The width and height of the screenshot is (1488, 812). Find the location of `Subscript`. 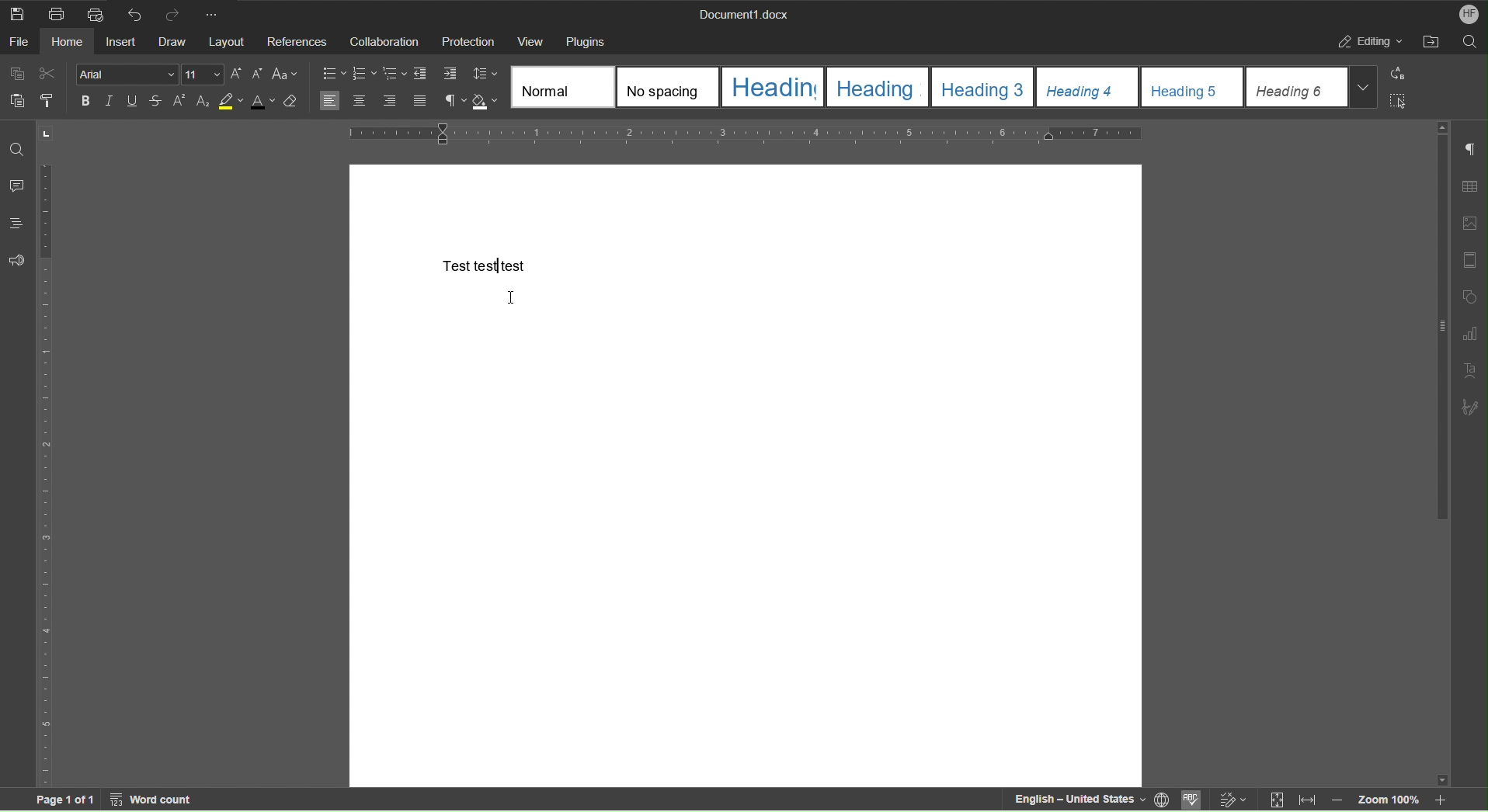

Subscript is located at coordinates (203, 102).